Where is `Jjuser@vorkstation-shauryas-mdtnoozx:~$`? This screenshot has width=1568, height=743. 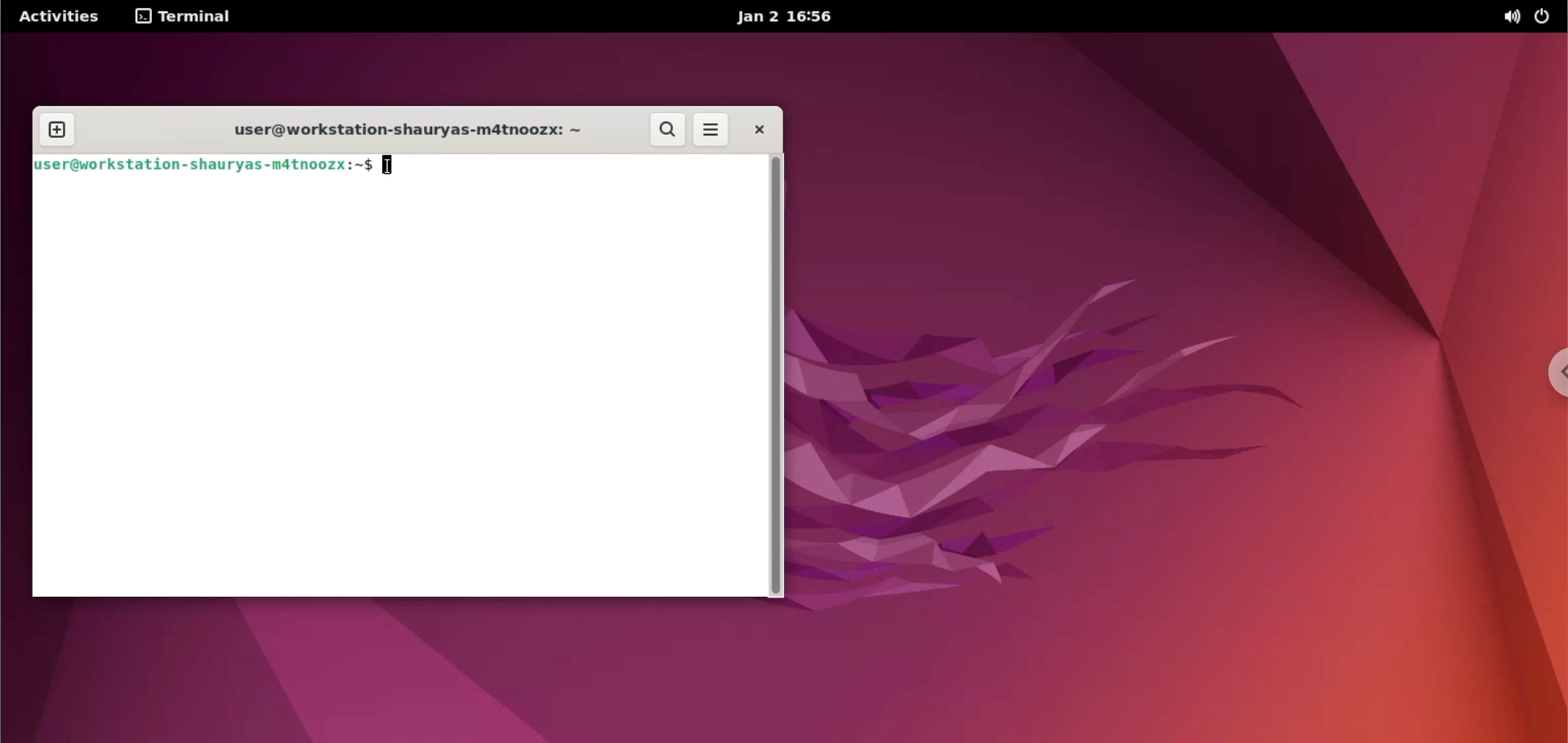 Jjuser@vorkstation-shauryas-mdtnoozx:~$ is located at coordinates (194, 167).